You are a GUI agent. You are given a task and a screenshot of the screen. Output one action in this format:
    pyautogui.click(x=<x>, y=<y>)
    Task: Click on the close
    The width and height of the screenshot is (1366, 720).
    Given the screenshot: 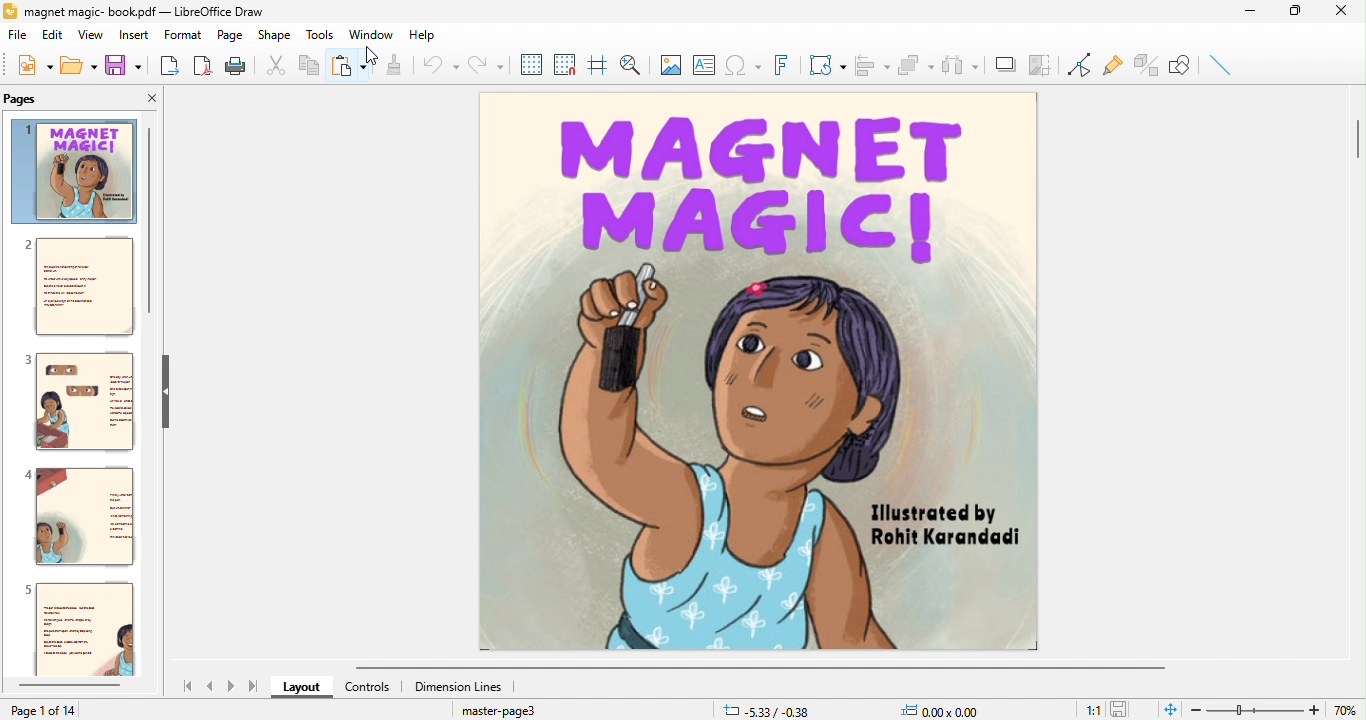 What is the action you would take?
    pyautogui.click(x=146, y=97)
    